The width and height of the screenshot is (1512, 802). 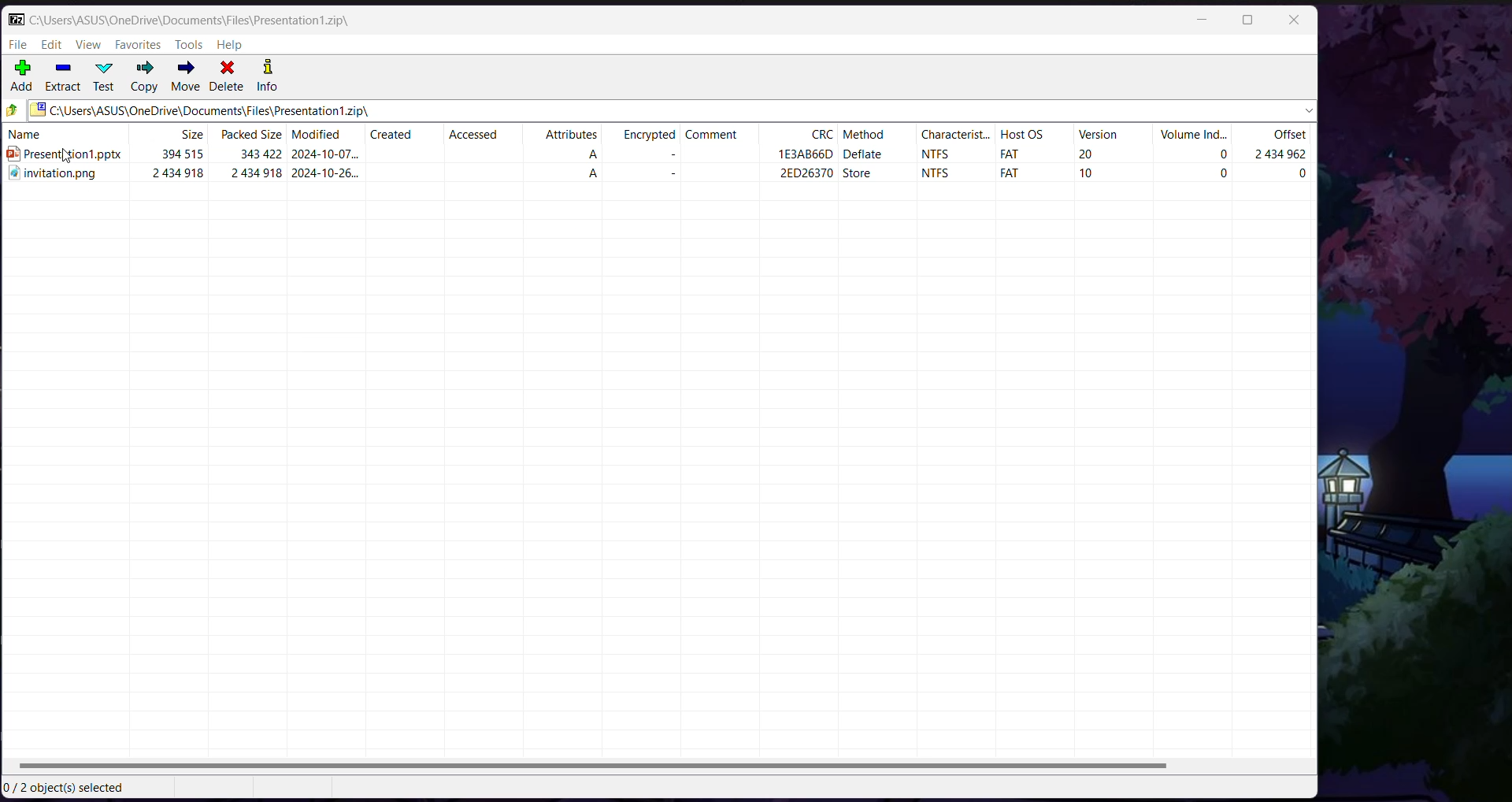 I want to click on File, so click(x=17, y=46).